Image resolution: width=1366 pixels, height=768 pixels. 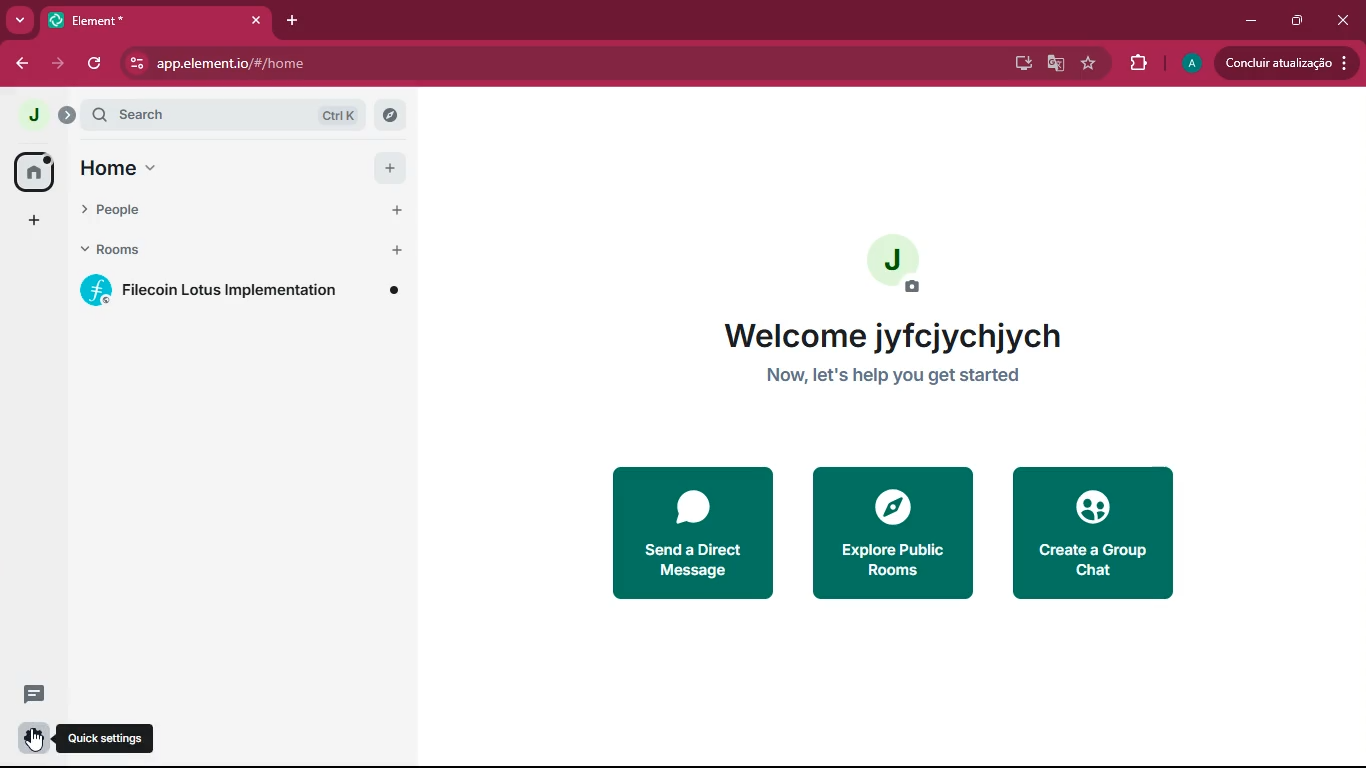 I want to click on cursor on quick settings, so click(x=34, y=742).